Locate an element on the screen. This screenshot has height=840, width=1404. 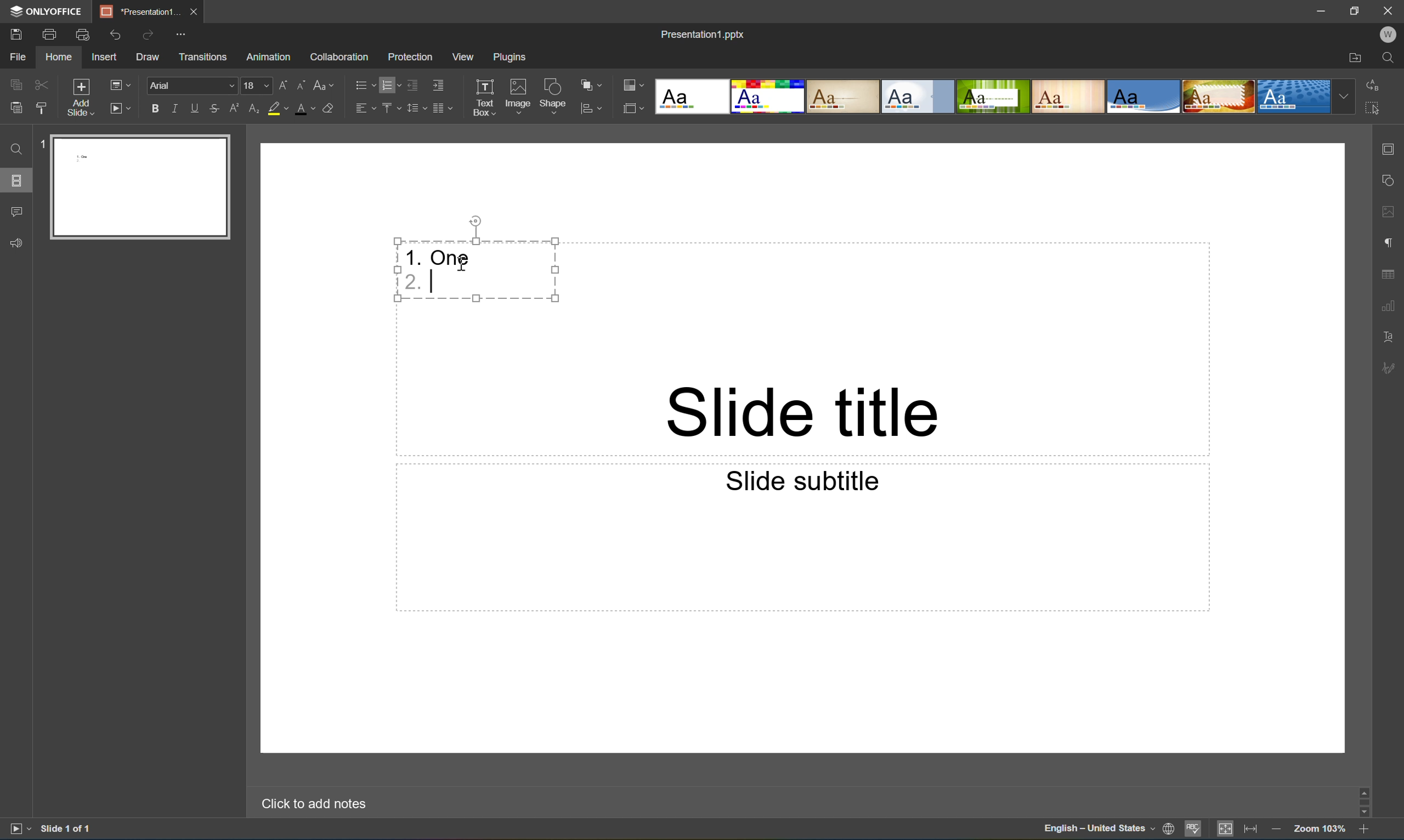
Change color theme is located at coordinates (632, 85).